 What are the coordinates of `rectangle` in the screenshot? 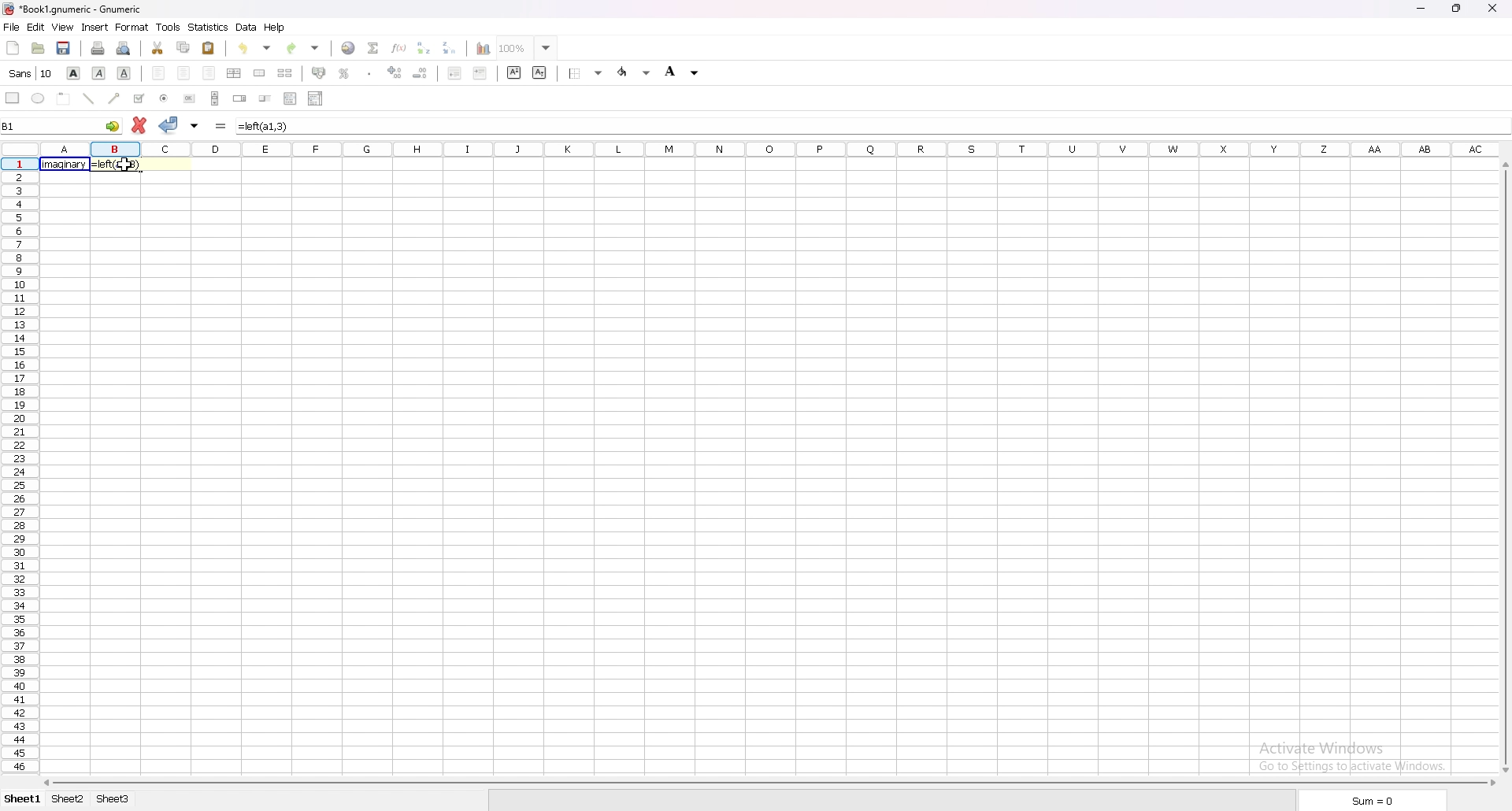 It's located at (13, 98).